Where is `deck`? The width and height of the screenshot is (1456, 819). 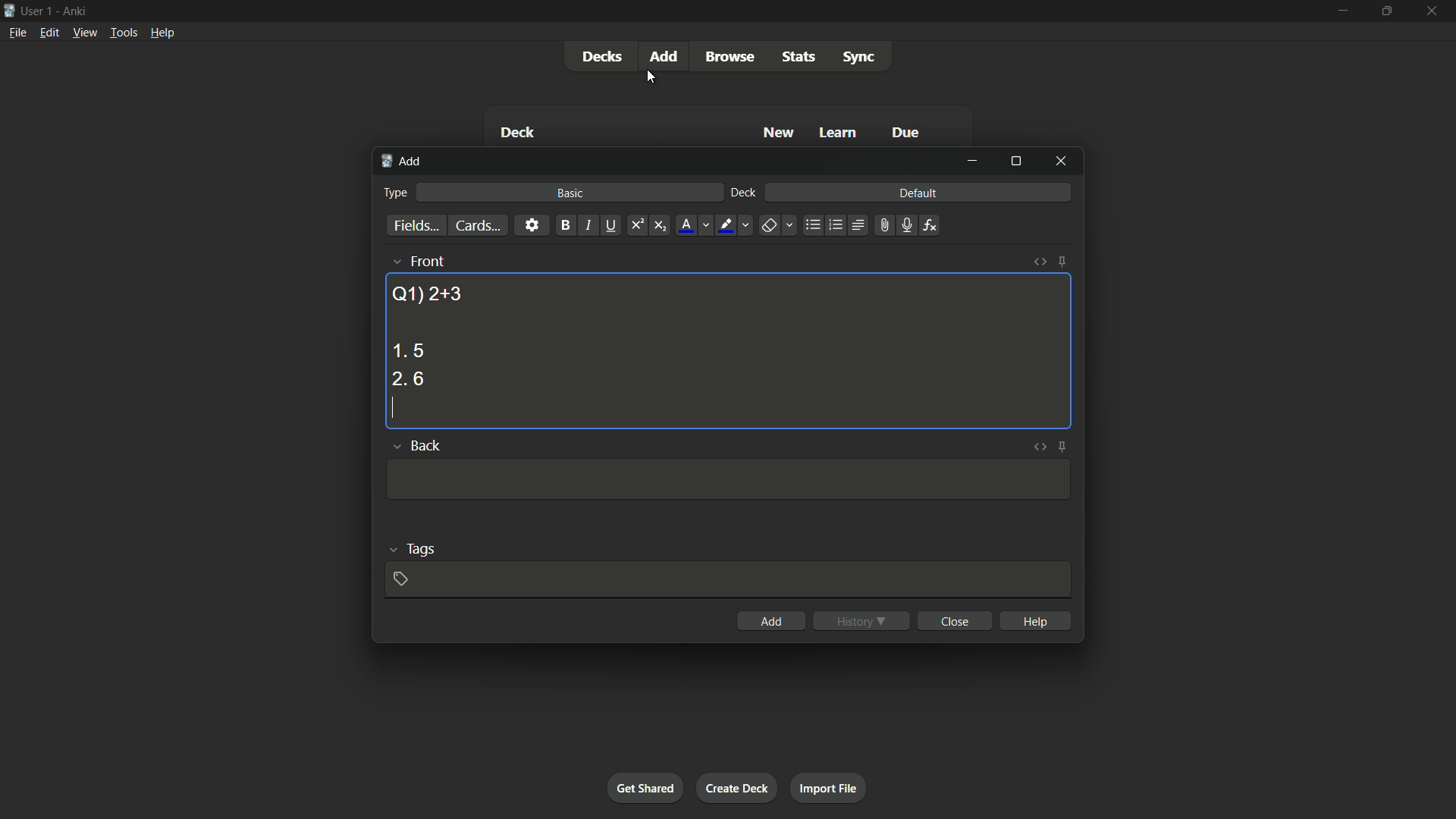
deck is located at coordinates (517, 134).